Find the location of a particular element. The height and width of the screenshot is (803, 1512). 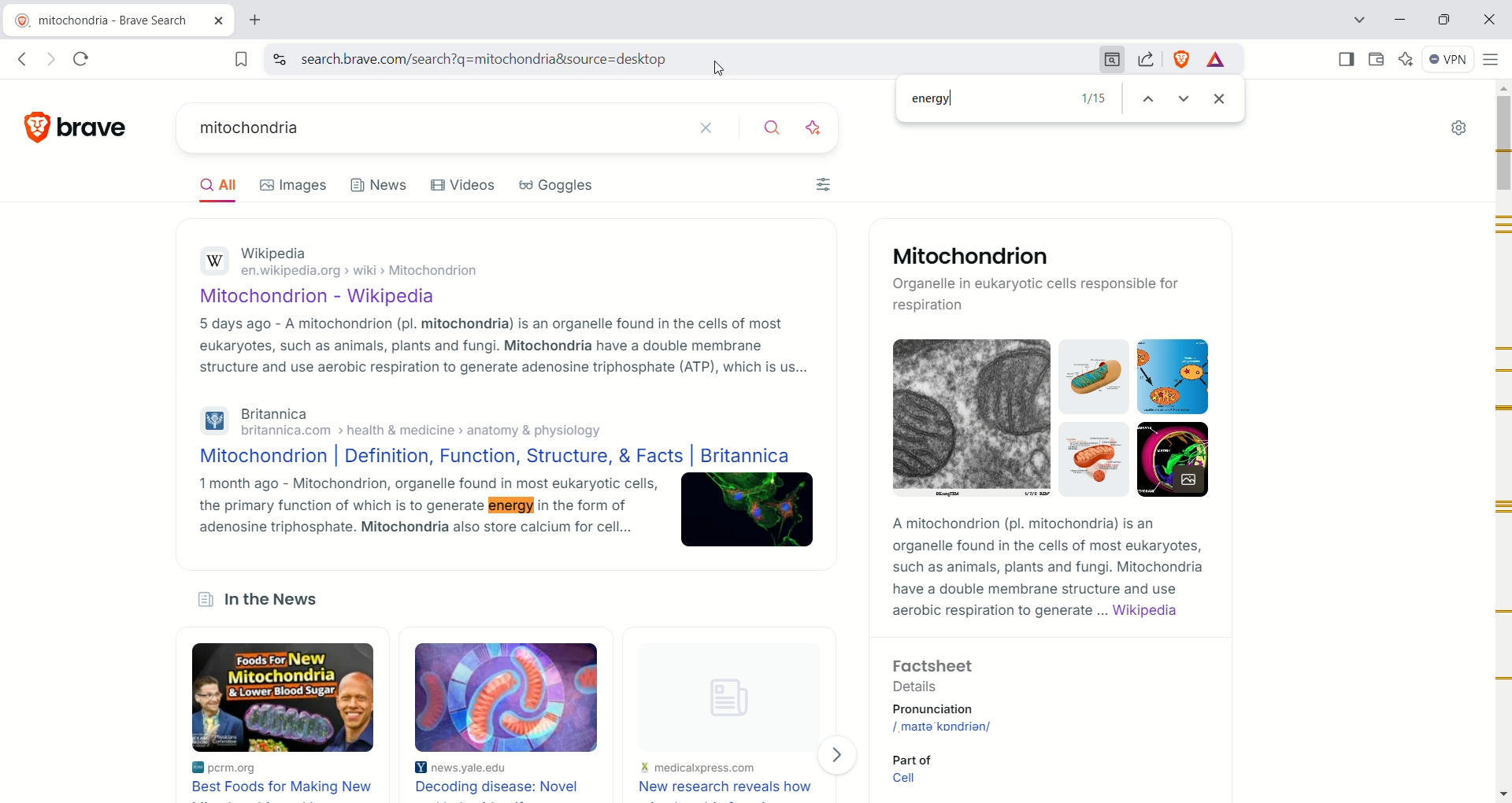

Wikipediaen.wikipedia.org > wiki > Mitochondrion is located at coordinates (391, 261).